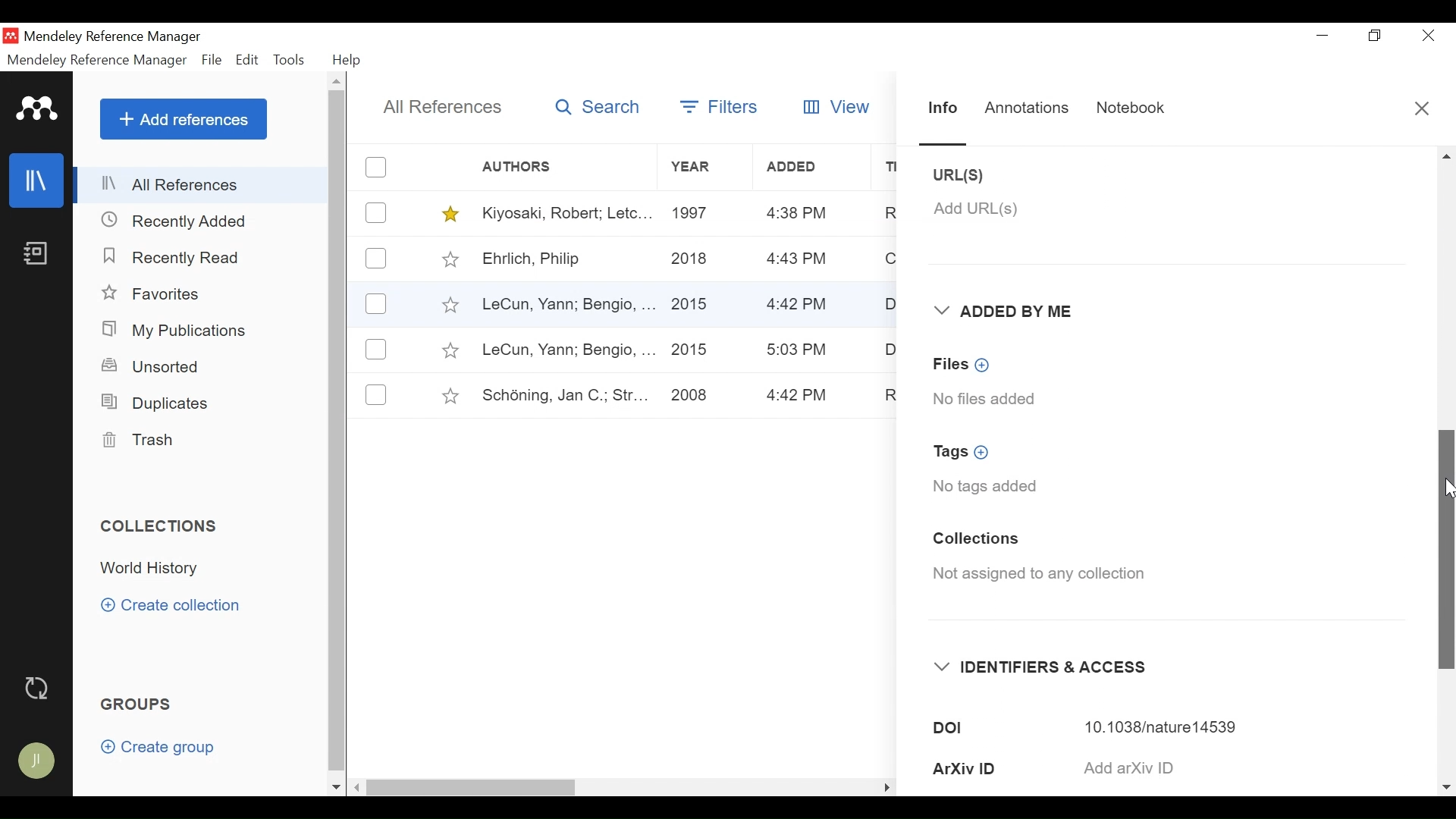 This screenshot has width=1456, height=819. Describe the element at coordinates (152, 402) in the screenshot. I see `Duplicates` at that location.